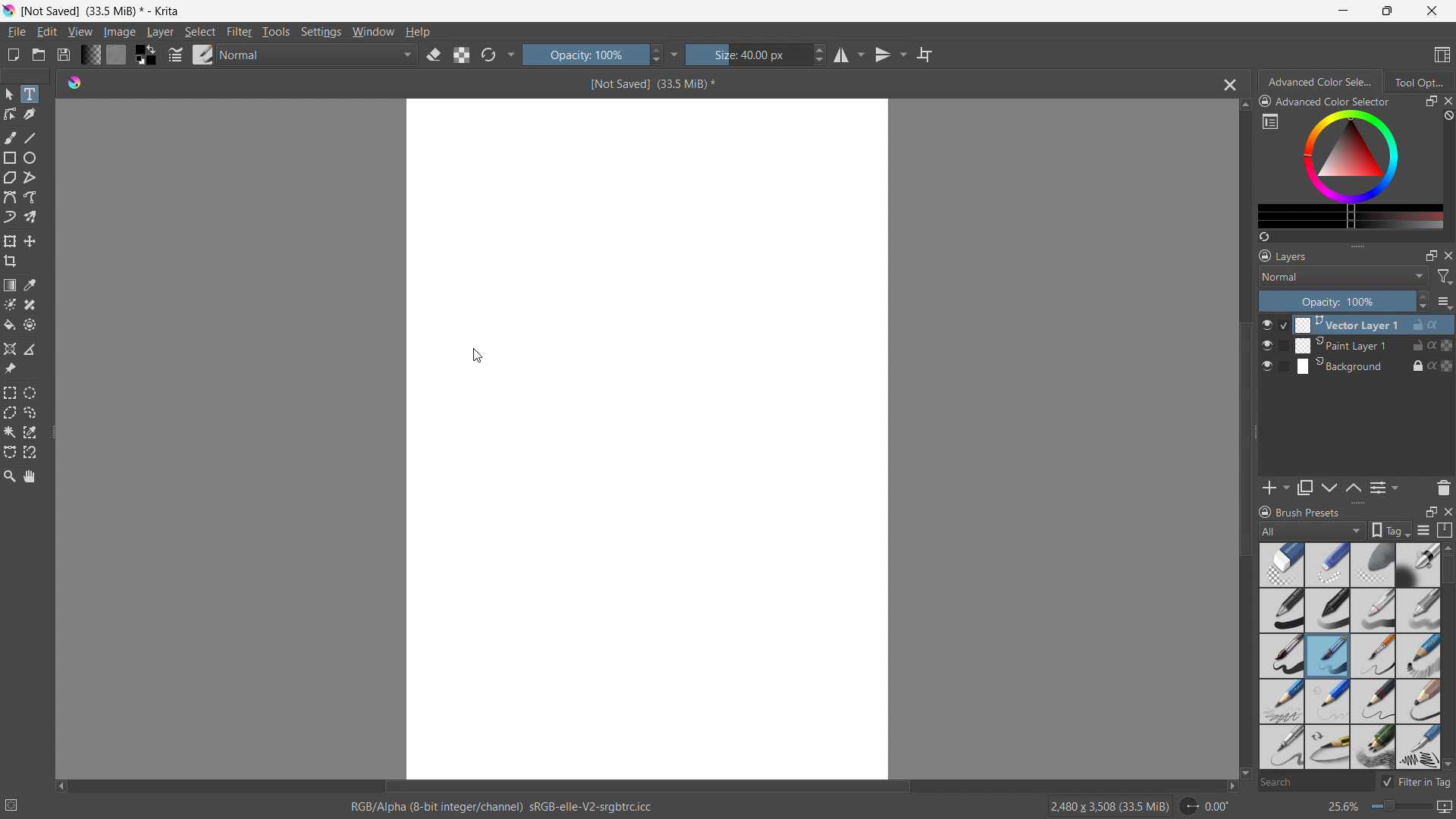  I want to click on zoom level, so click(1389, 808).